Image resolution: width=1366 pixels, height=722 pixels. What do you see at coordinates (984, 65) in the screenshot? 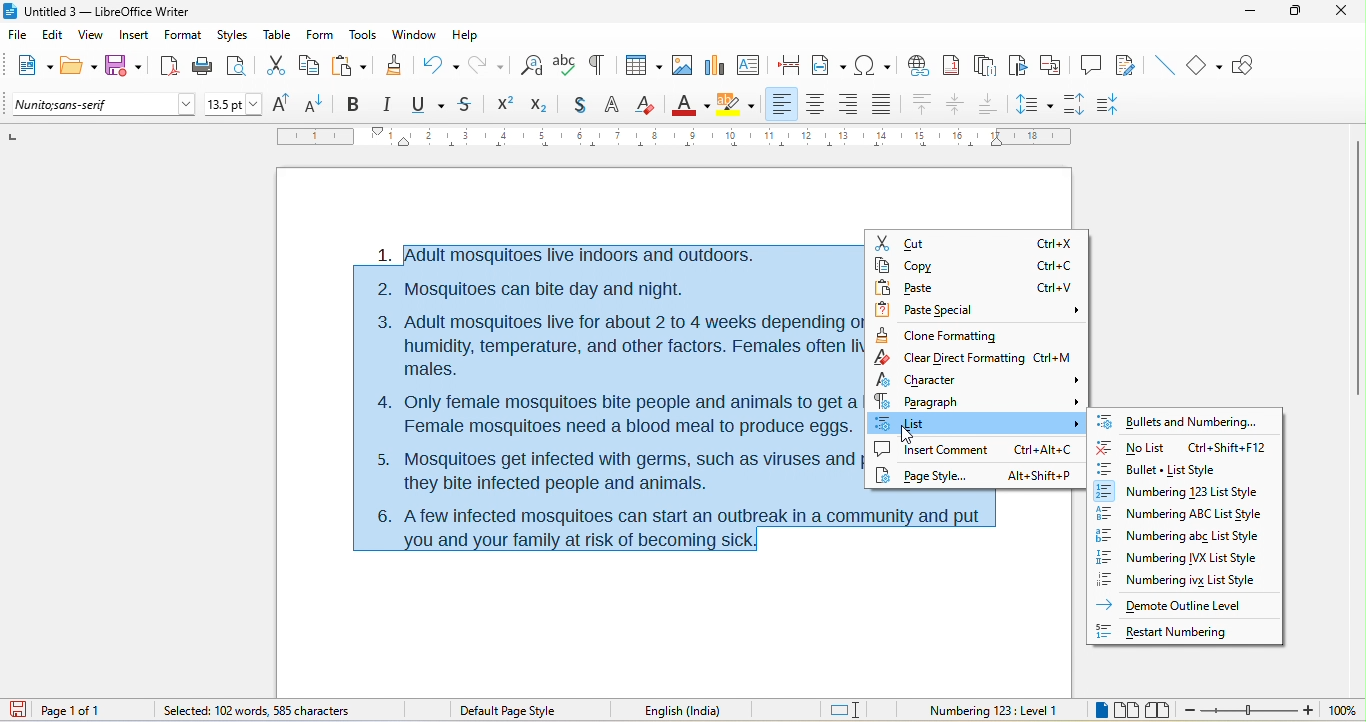
I see `end note` at bounding box center [984, 65].